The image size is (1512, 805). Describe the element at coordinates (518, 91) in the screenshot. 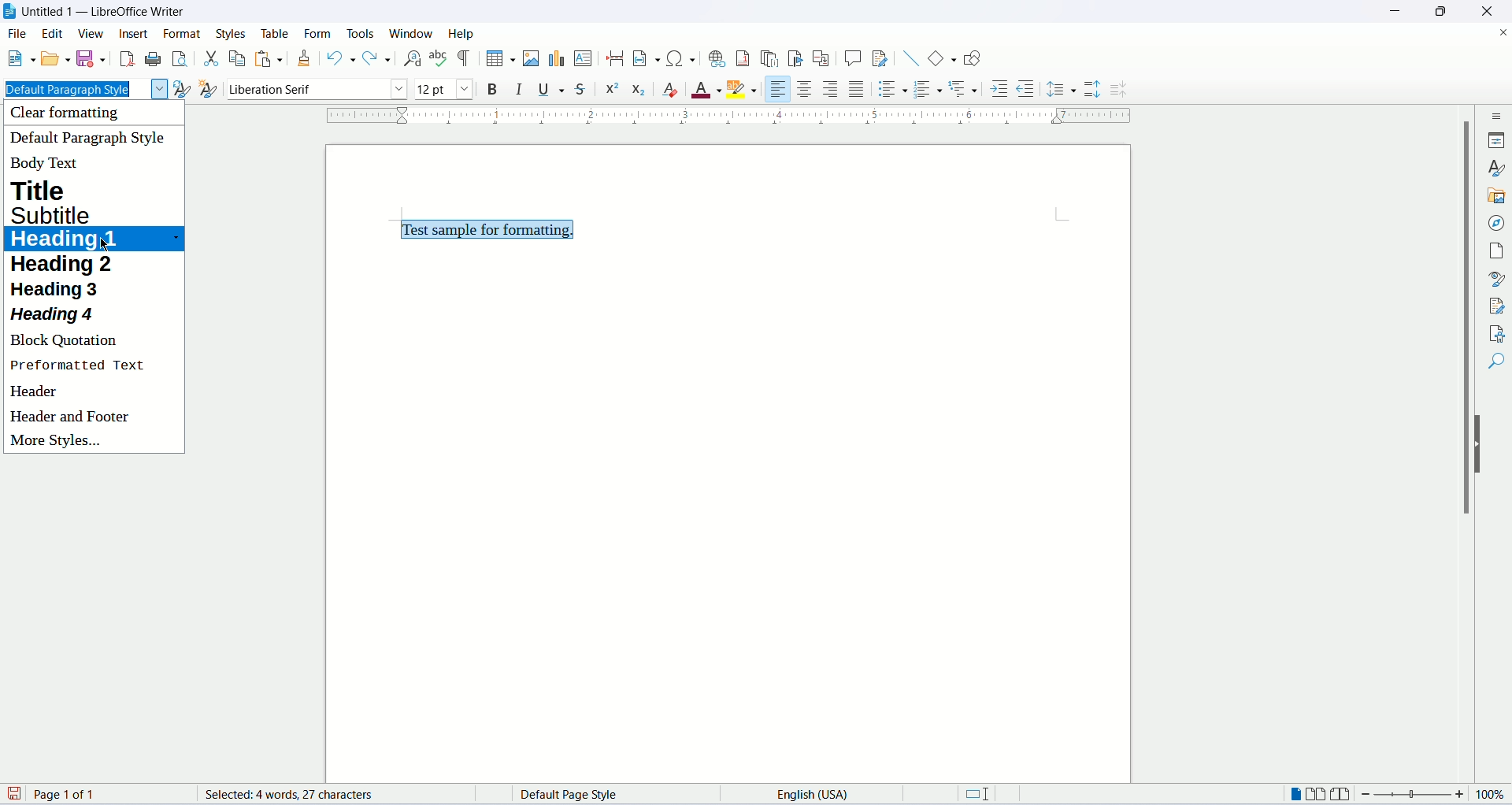

I see `italics` at that location.